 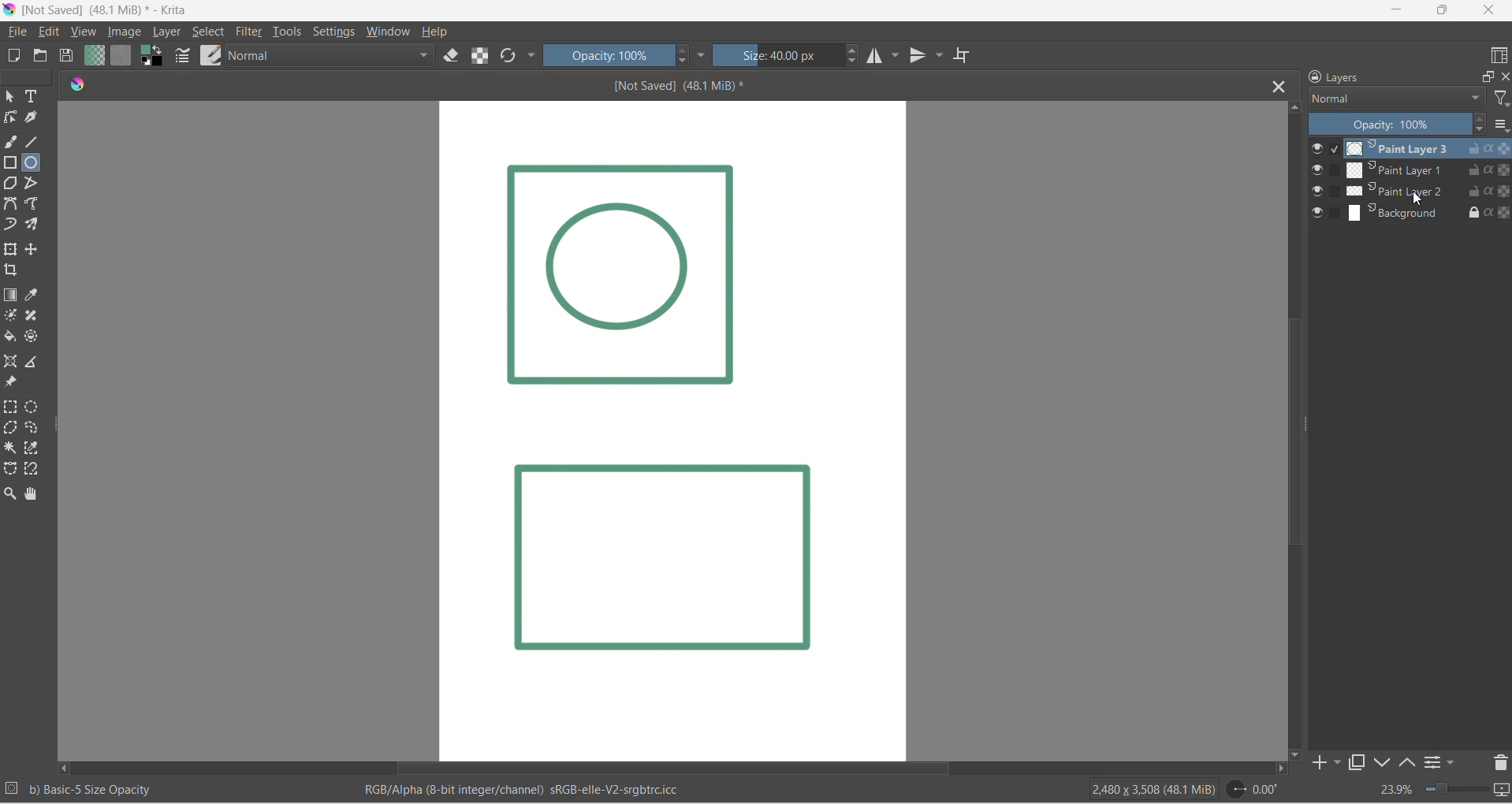 I want to click on wrap around mode, so click(x=967, y=57).